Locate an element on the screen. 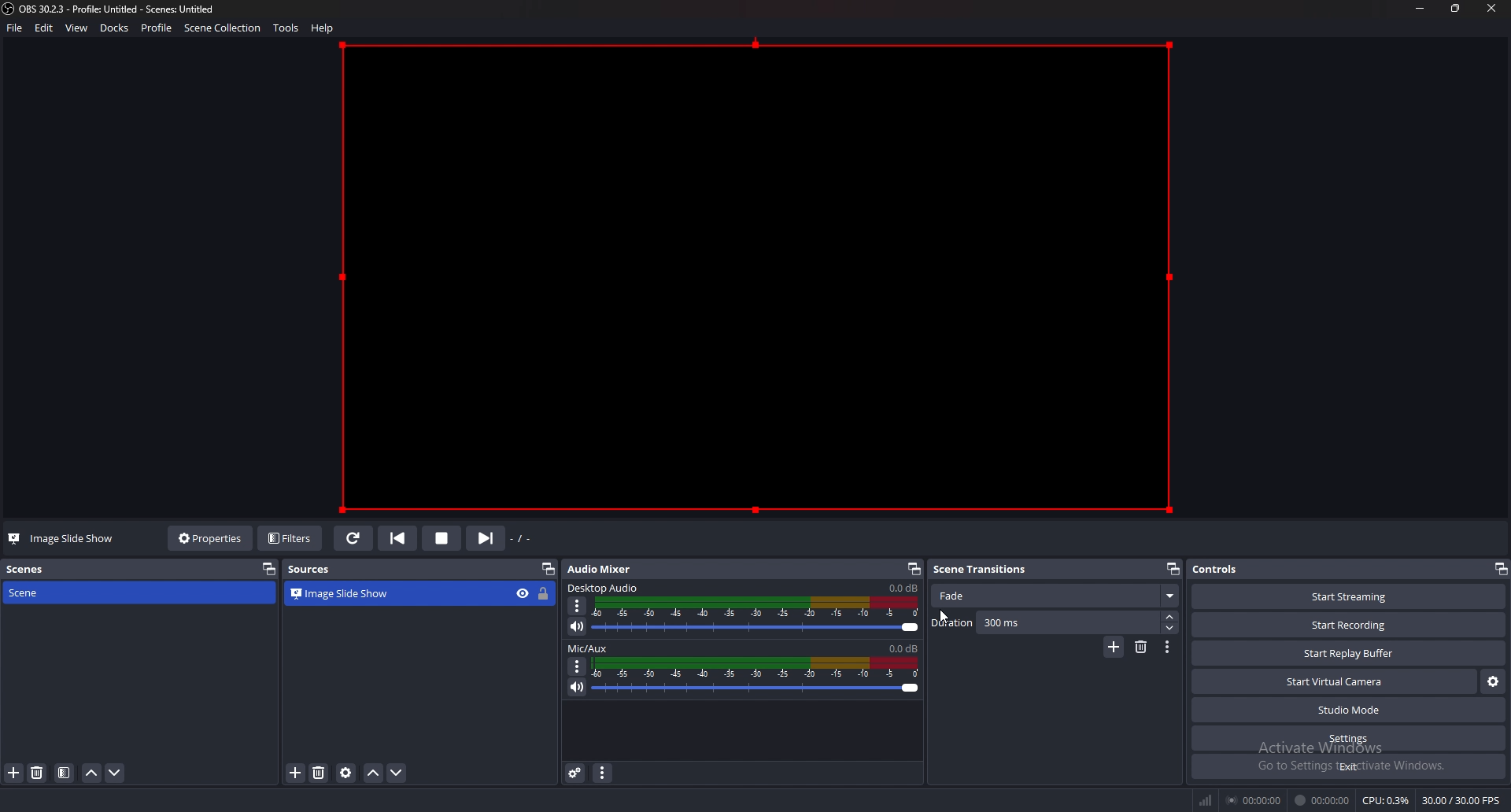  network is located at coordinates (1206, 799).